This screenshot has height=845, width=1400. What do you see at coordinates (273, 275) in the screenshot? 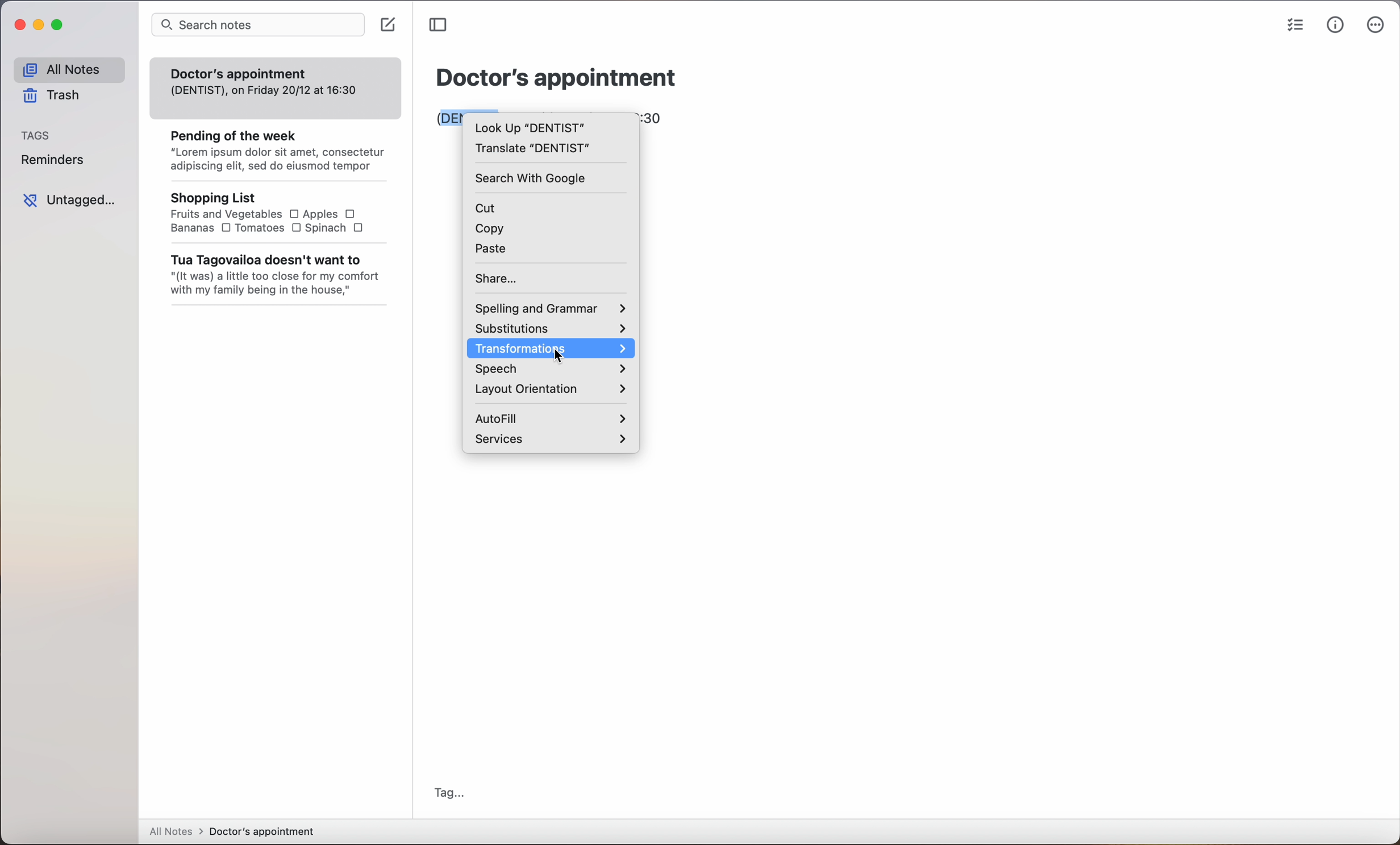
I see `Tua Tagovailoa doesn't want to
"(It was) a little too close for my comfort
with my family being in the house,"` at bounding box center [273, 275].